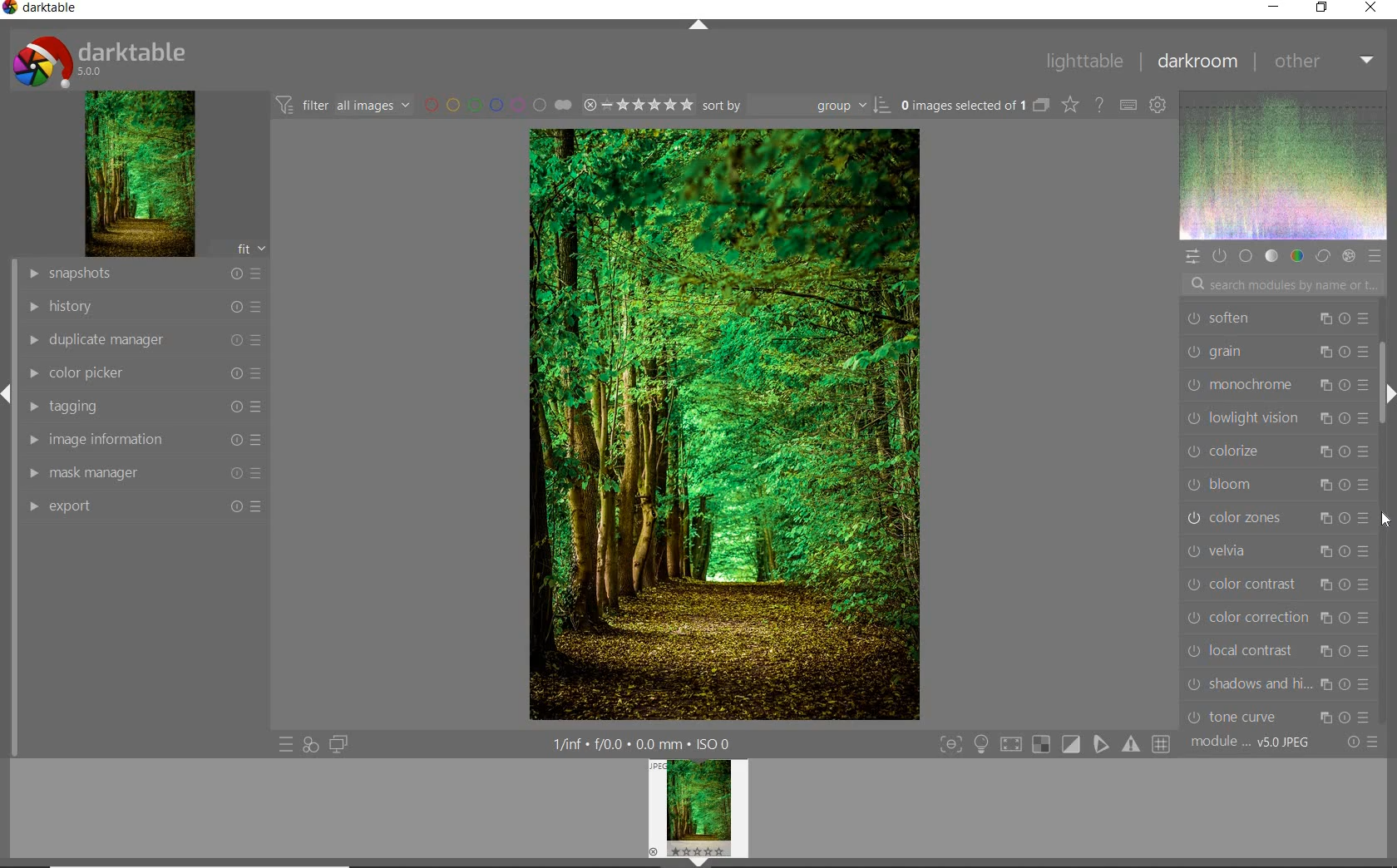 This screenshot has height=868, width=1397. Describe the element at coordinates (1220, 255) in the screenshot. I see `SHOW ONLY ACTIVE MODULE` at that location.